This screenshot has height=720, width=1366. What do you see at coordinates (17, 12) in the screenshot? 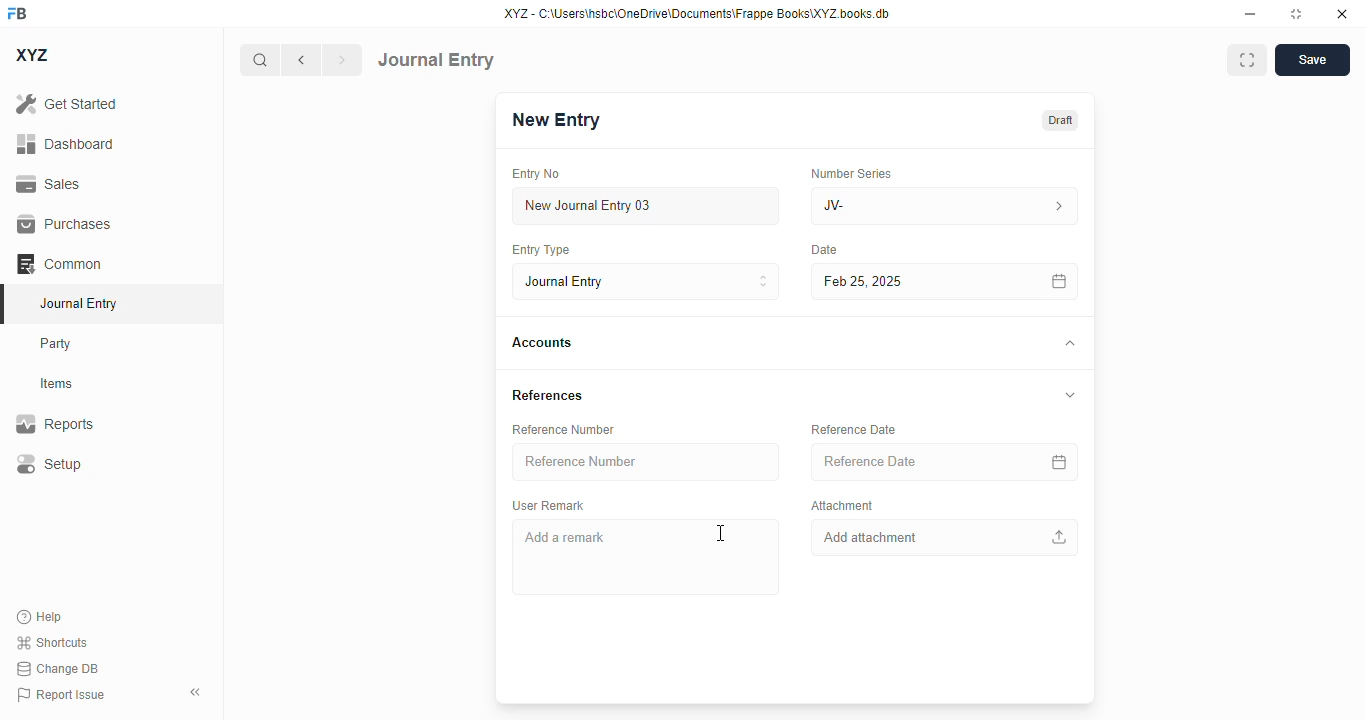
I see `FB logo` at bounding box center [17, 12].